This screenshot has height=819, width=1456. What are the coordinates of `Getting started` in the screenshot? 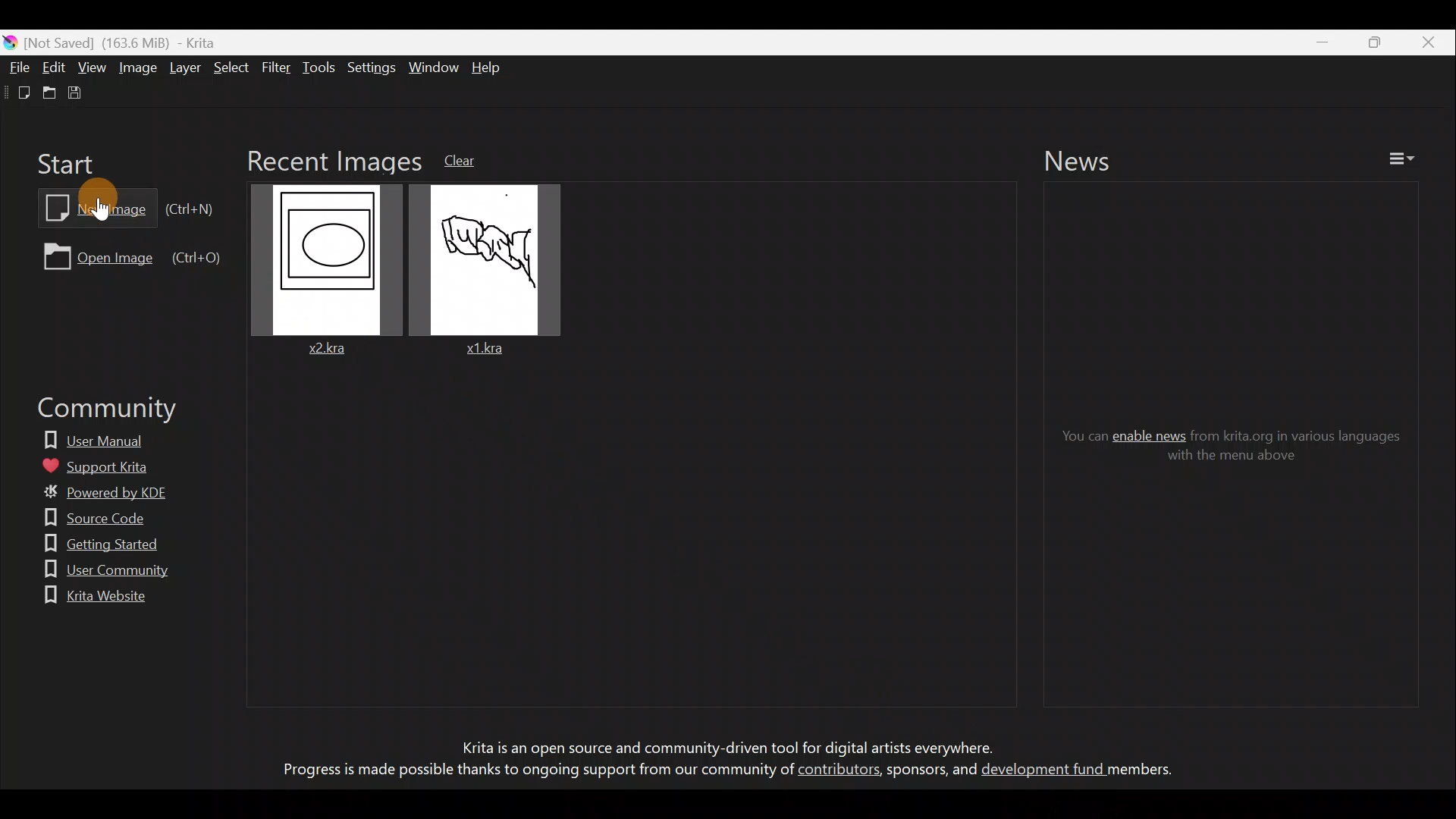 It's located at (95, 542).